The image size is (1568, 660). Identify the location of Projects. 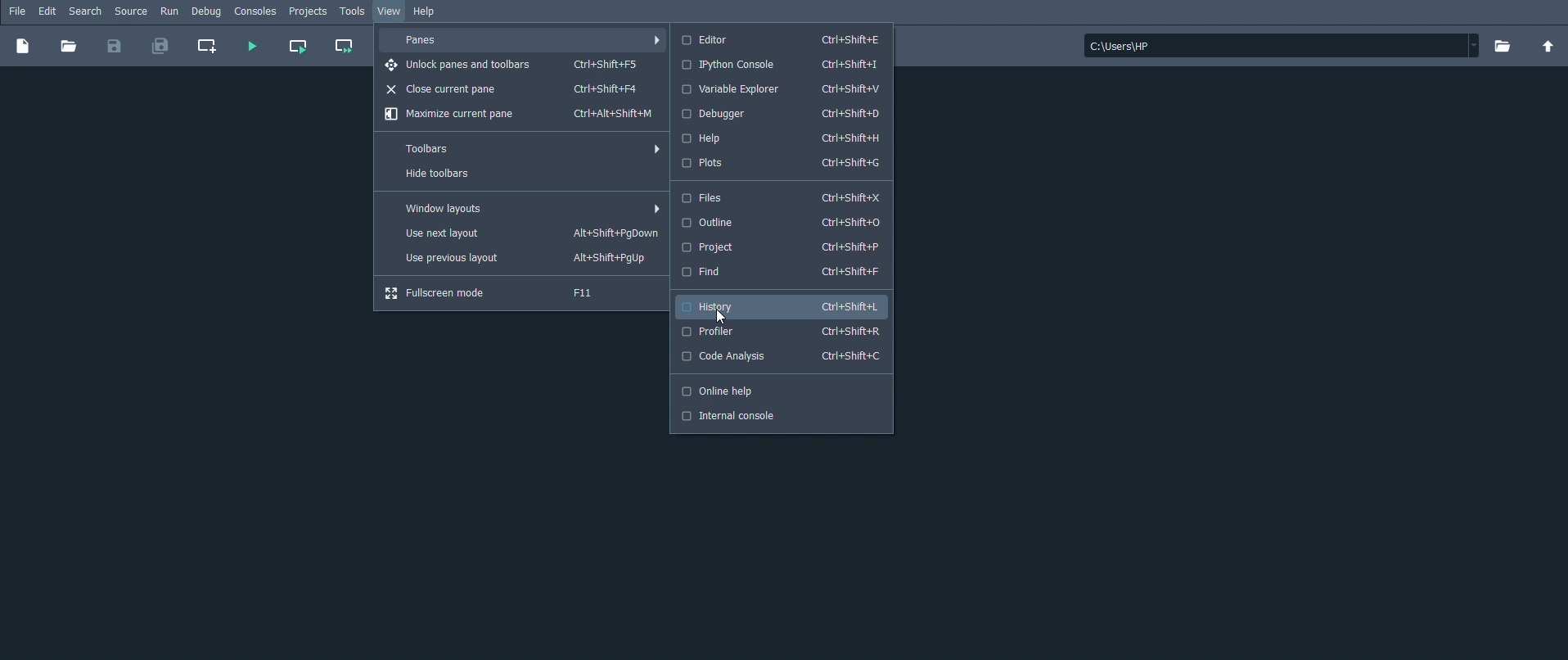
(309, 11).